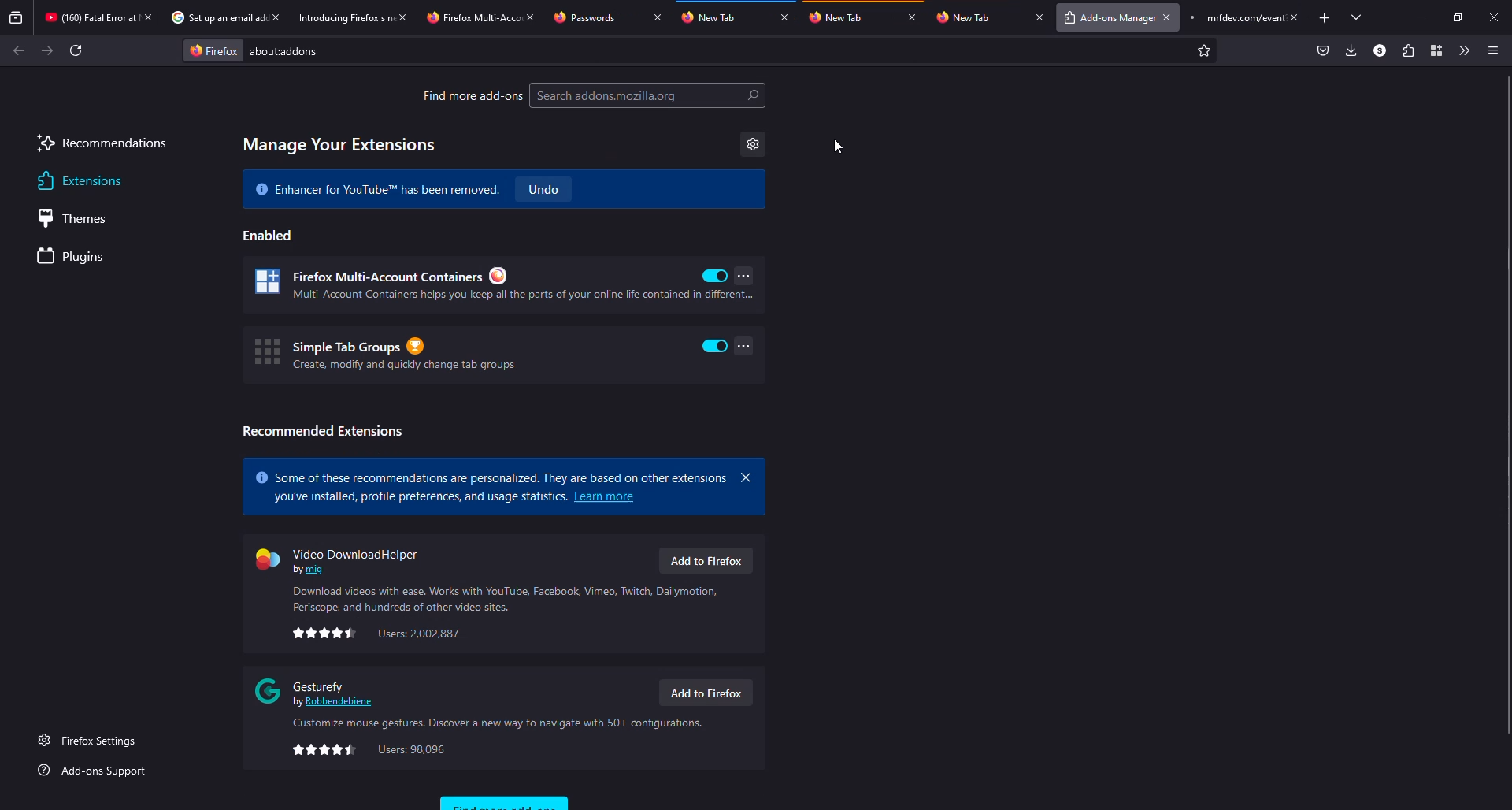 This screenshot has height=810, width=1512. Describe the element at coordinates (648, 95) in the screenshot. I see `search` at that location.